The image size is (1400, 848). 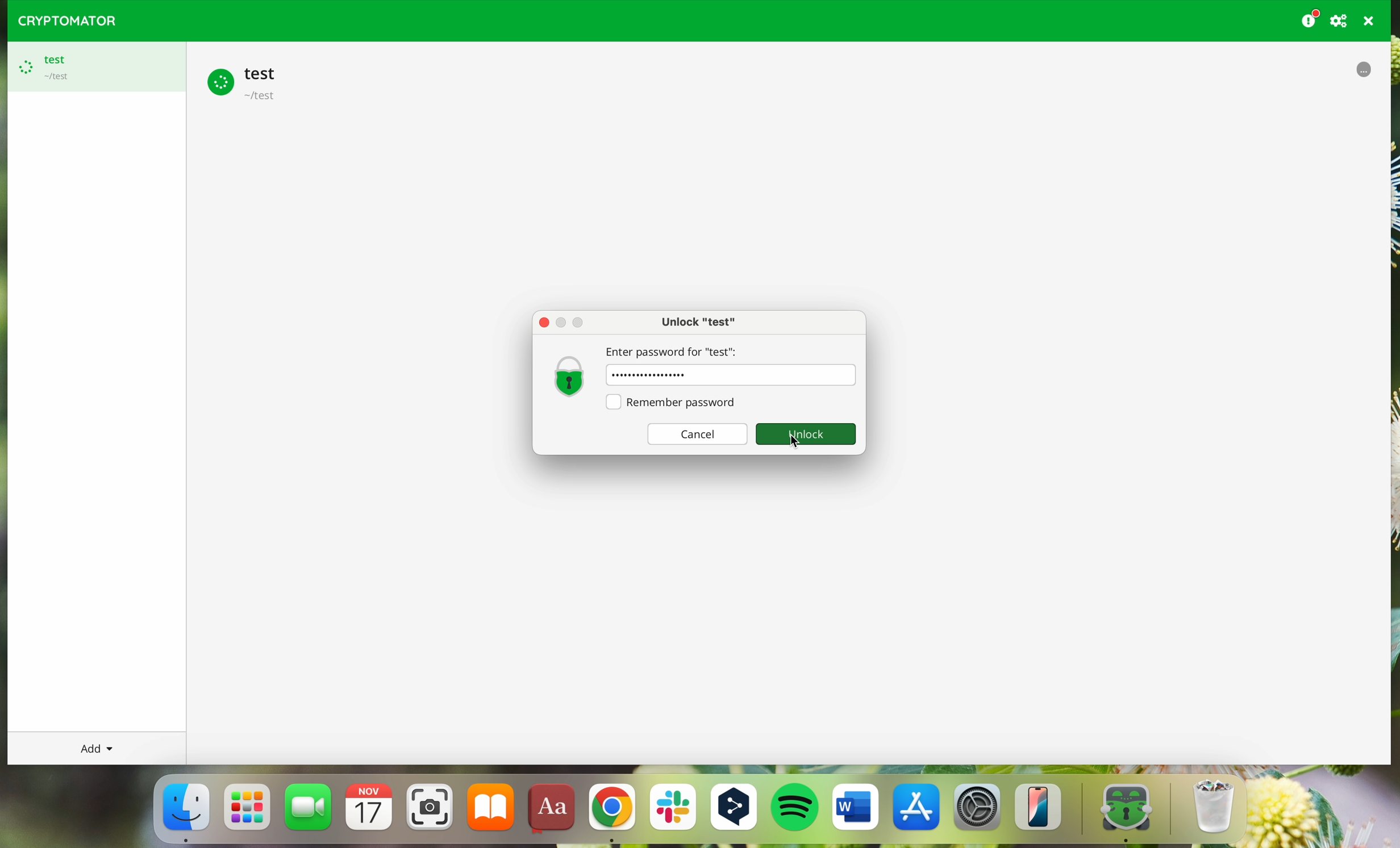 What do you see at coordinates (566, 375) in the screenshot?
I see `Lock icon` at bounding box center [566, 375].